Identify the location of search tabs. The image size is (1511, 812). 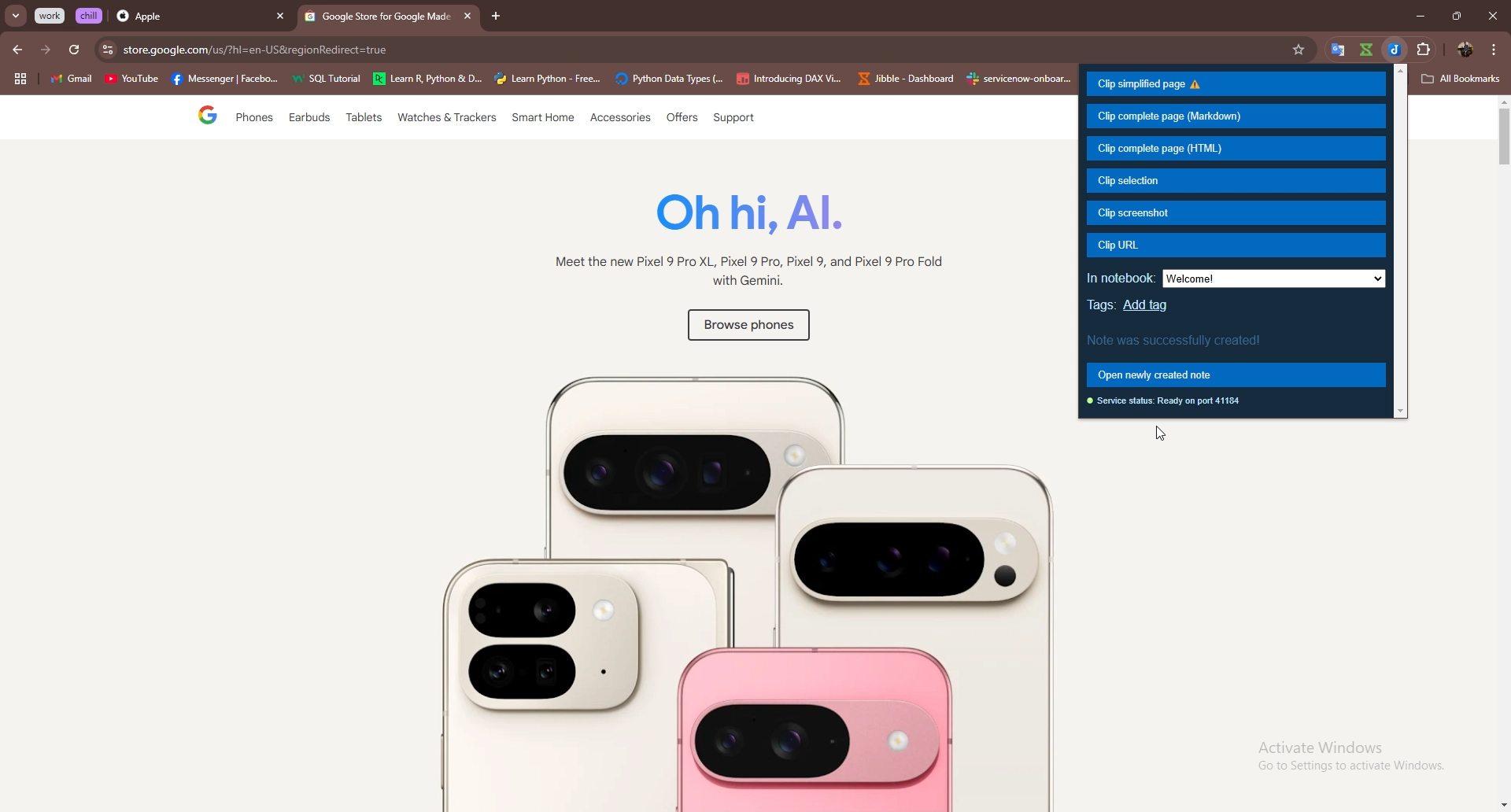
(17, 17).